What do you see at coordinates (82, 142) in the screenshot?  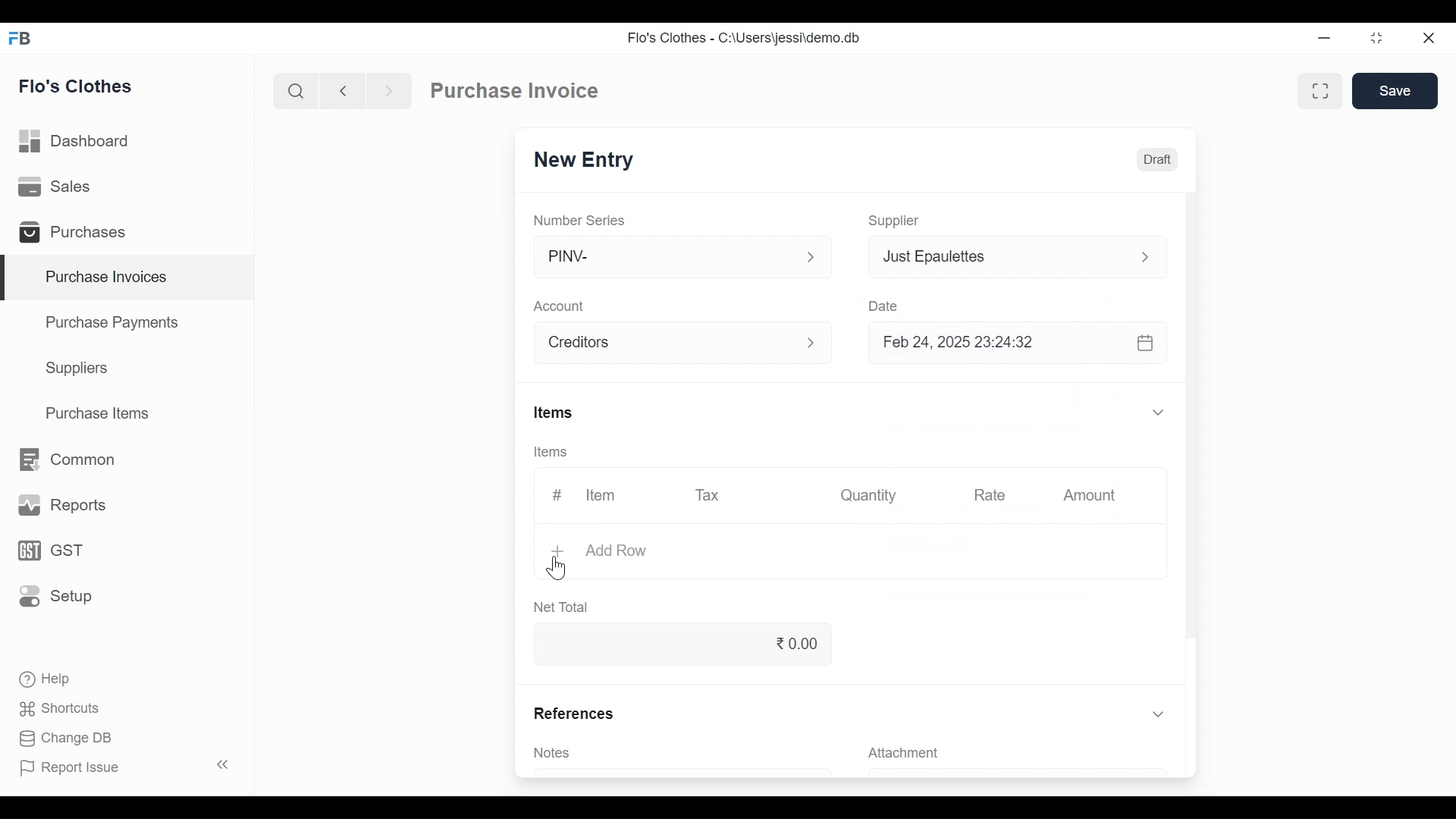 I see `Dashboard` at bounding box center [82, 142].